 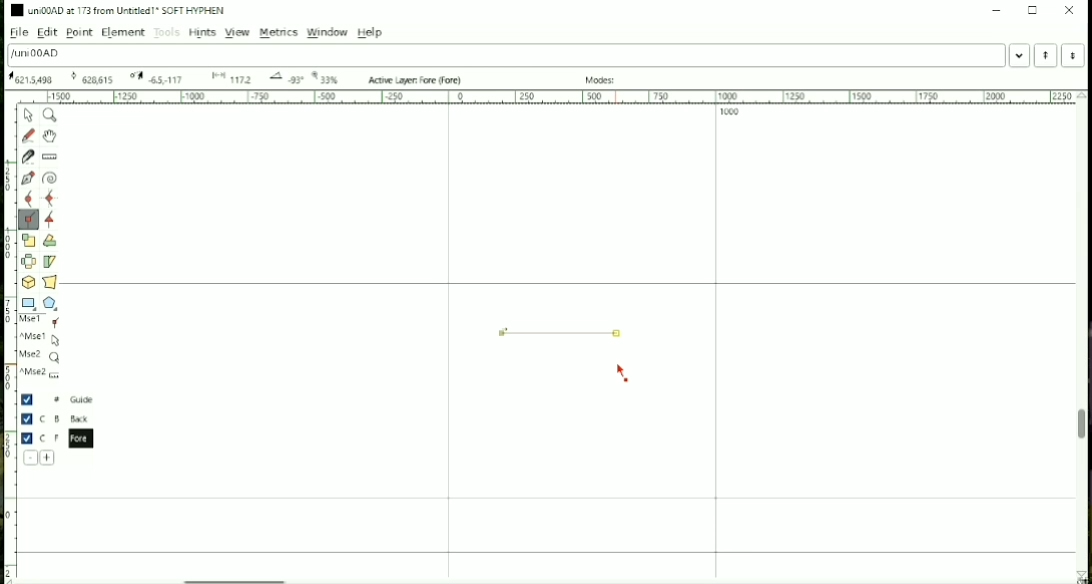 I want to click on Polygon or star, so click(x=52, y=303).